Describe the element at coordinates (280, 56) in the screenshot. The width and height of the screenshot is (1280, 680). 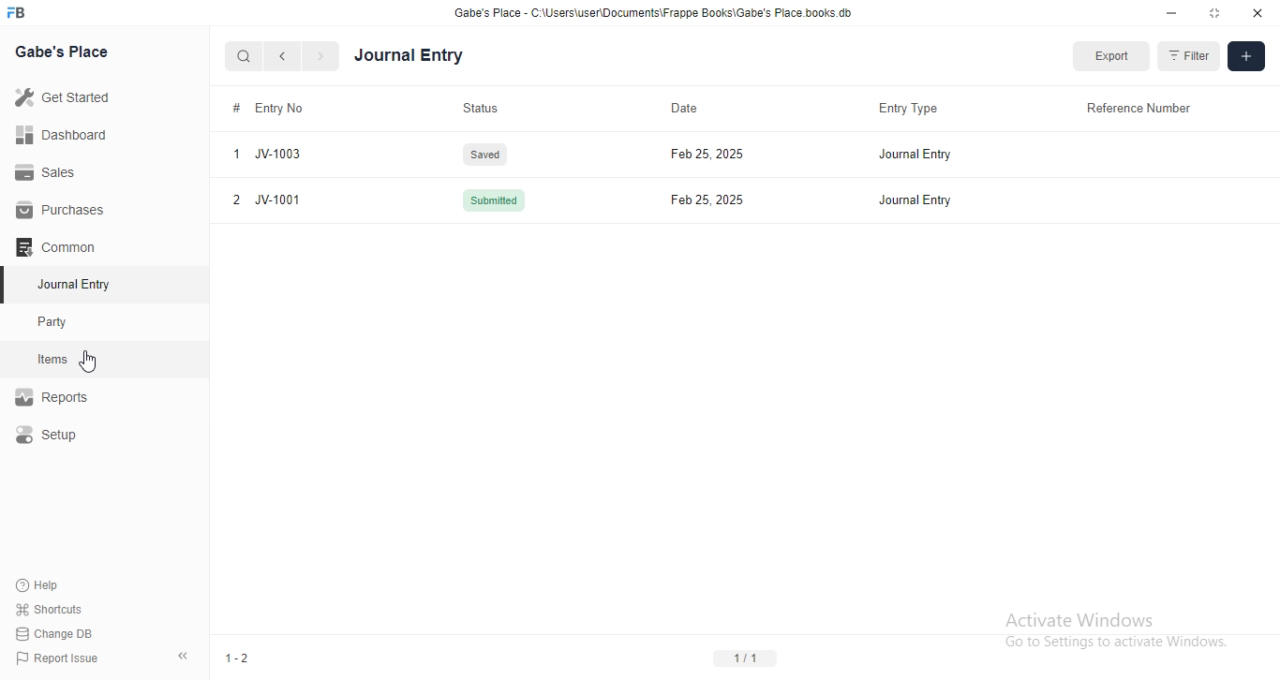
I see `previous` at that location.